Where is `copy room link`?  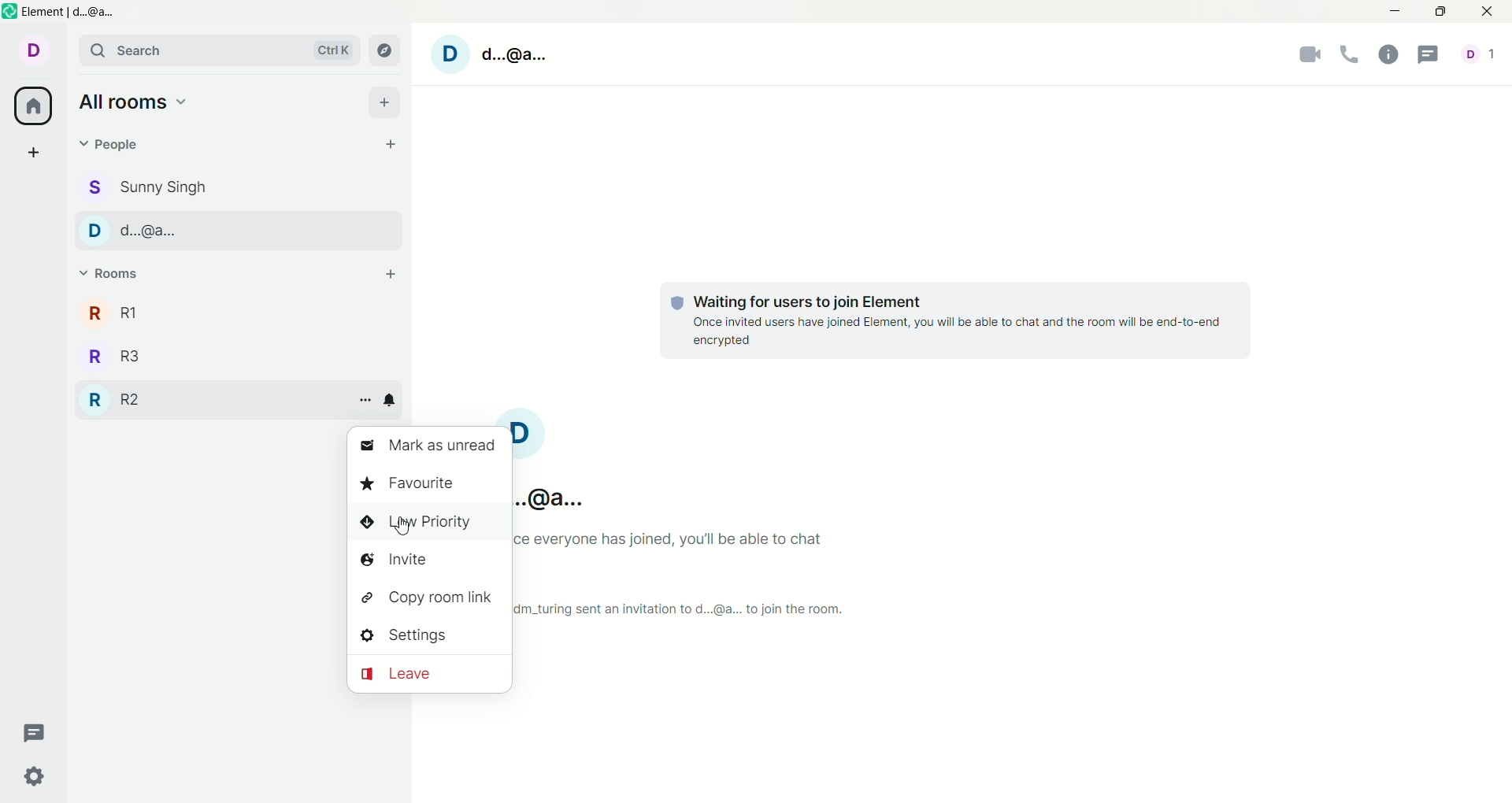 copy room link is located at coordinates (428, 601).